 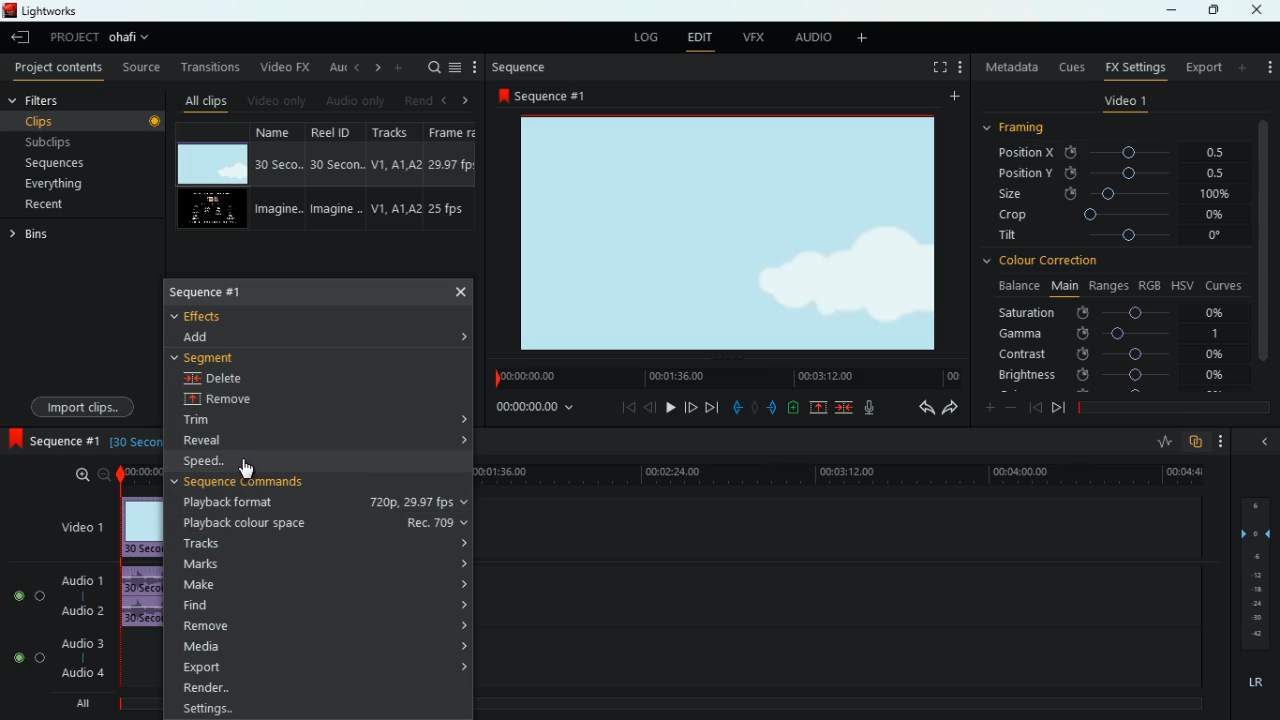 What do you see at coordinates (214, 421) in the screenshot?
I see `trim` at bounding box center [214, 421].